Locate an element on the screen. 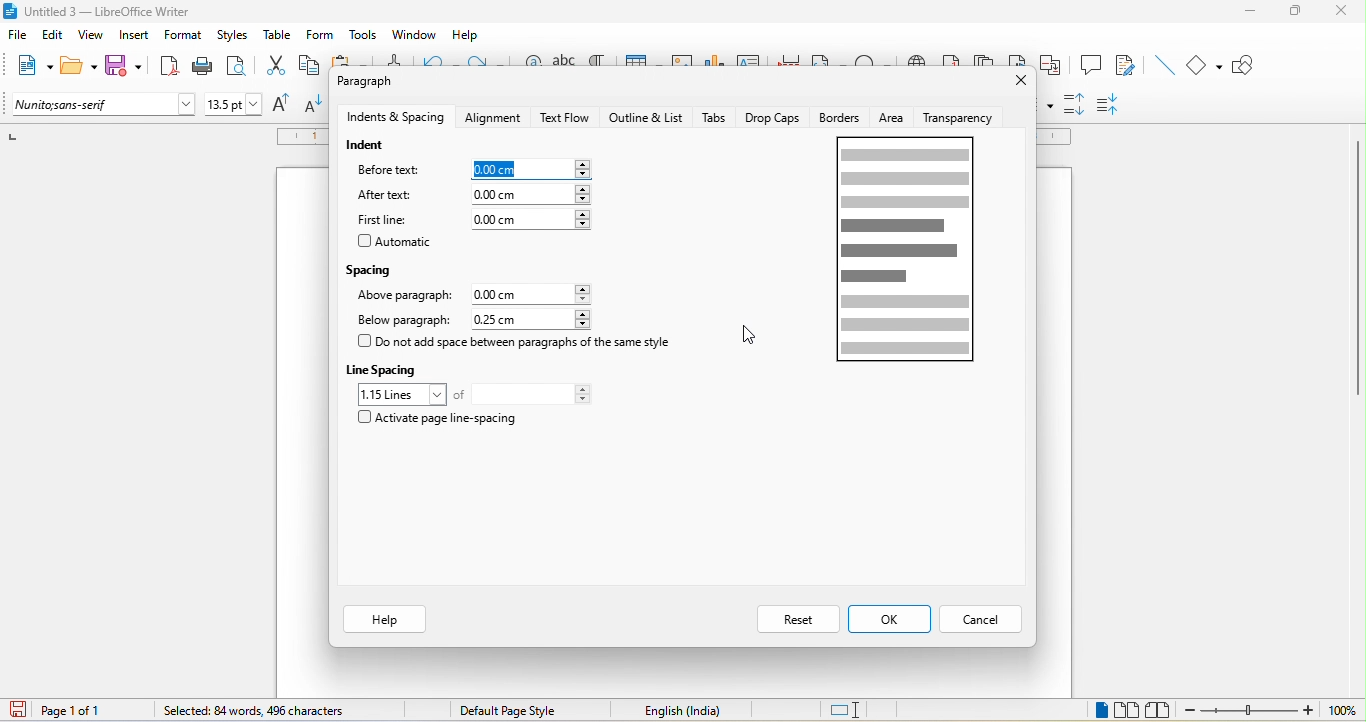 The image size is (1366, 722). export directly as pdf is located at coordinates (168, 65).